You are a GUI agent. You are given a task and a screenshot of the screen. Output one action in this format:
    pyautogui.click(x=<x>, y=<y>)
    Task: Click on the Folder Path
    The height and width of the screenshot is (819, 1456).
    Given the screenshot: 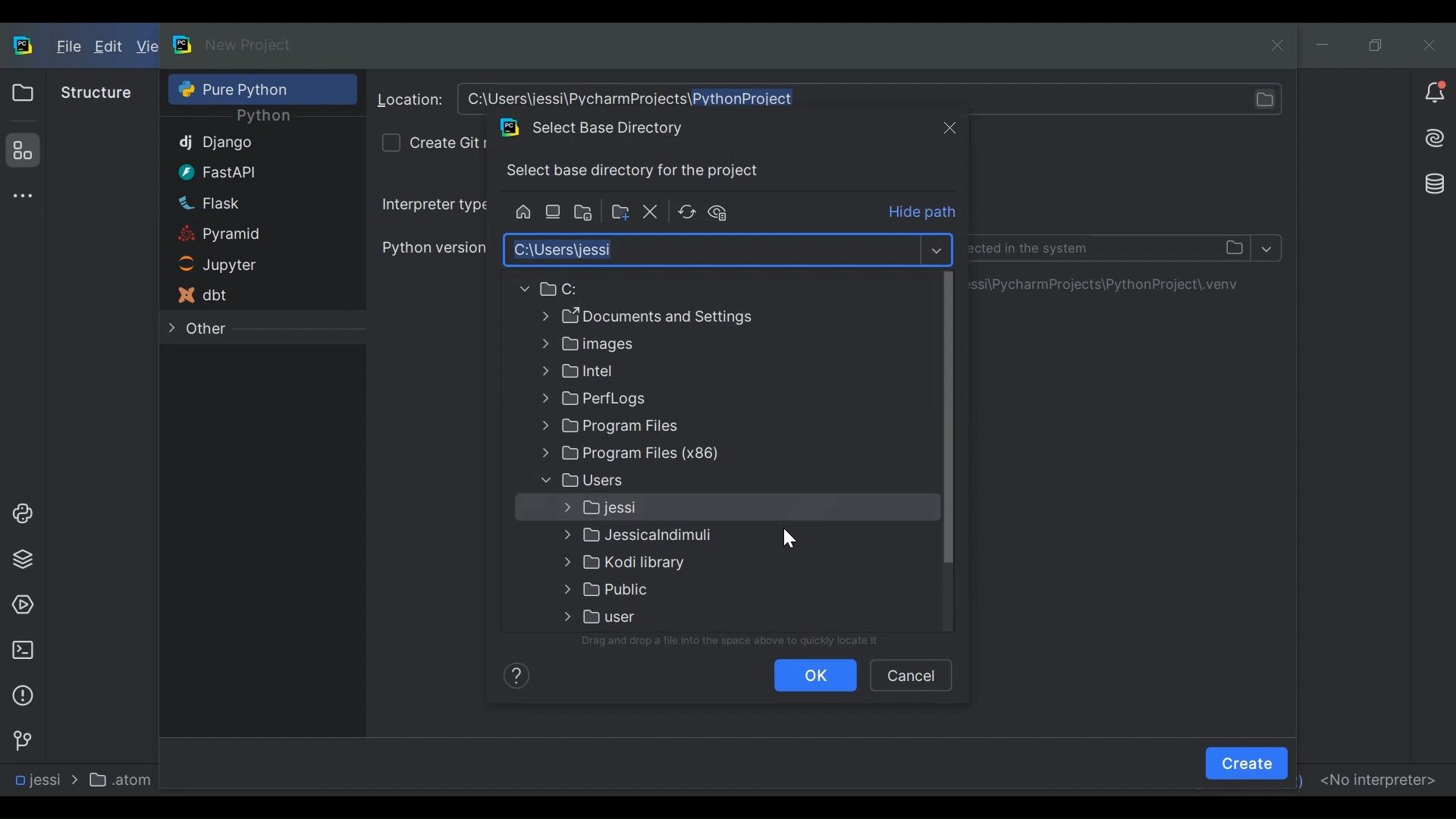 What is the action you would take?
    pyautogui.click(x=664, y=372)
    